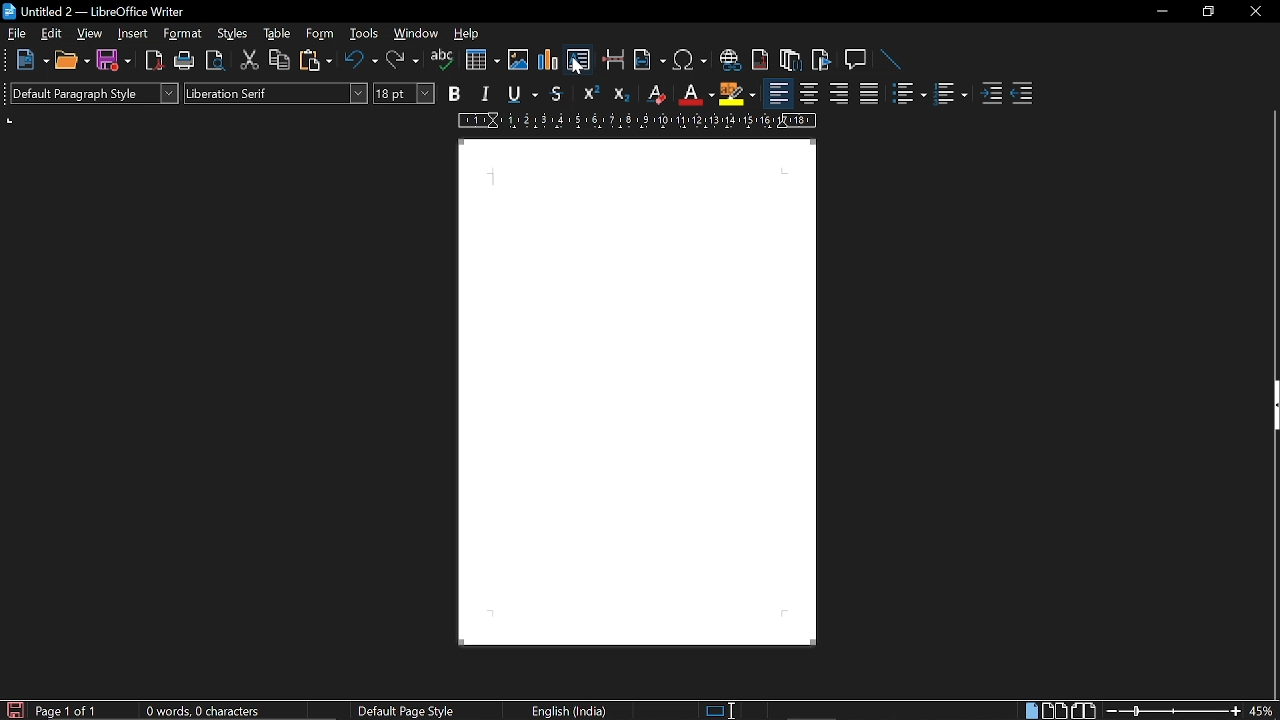 This screenshot has height=720, width=1280. Describe the element at coordinates (482, 95) in the screenshot. I see `italic` at that location.